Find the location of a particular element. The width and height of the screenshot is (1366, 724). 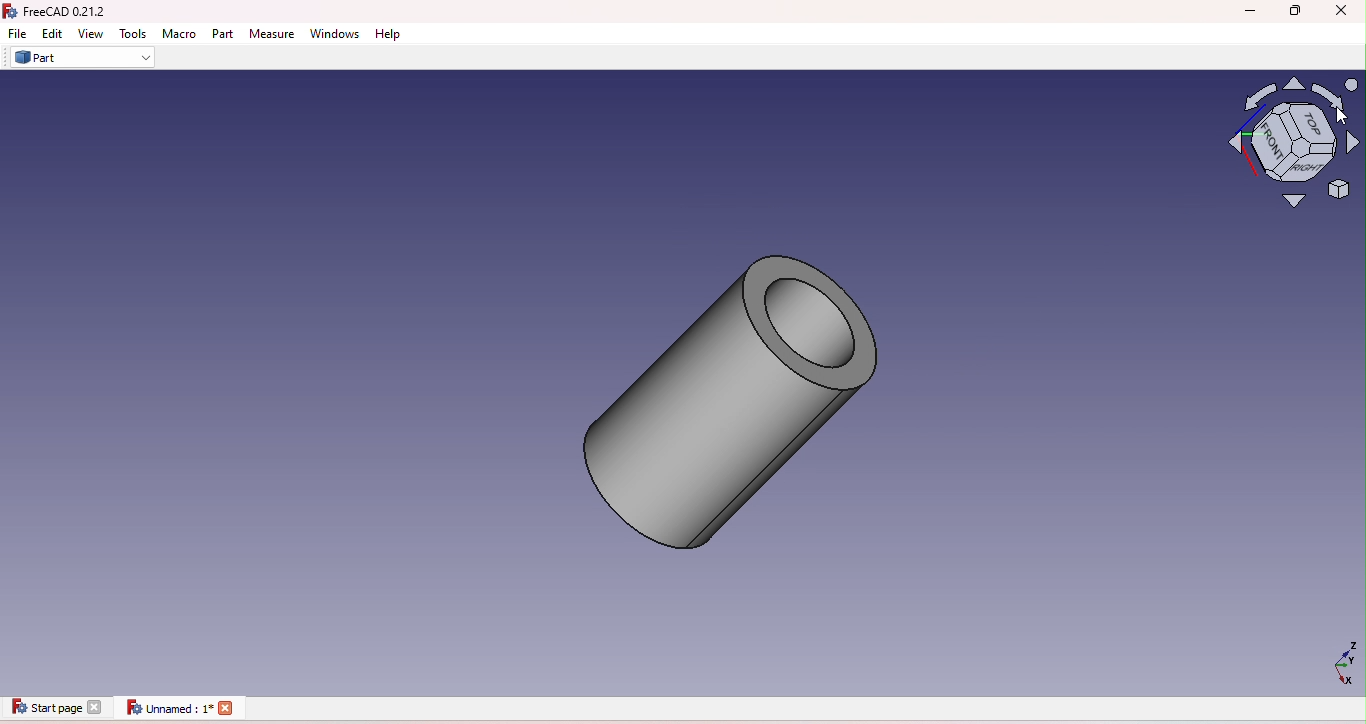

Edit is located at coordinates (54, 34).